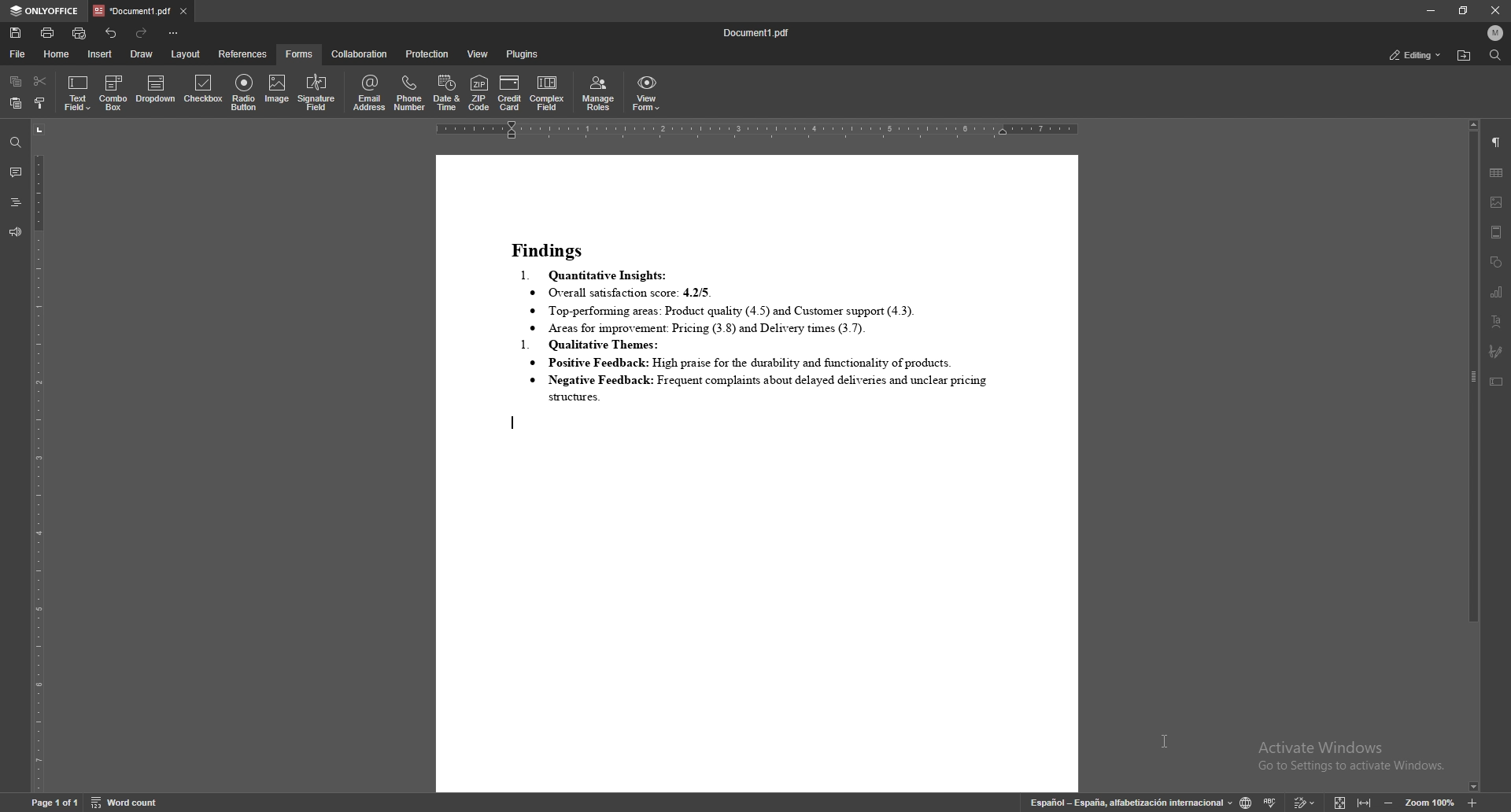  I want to click on tab, so click(131, 11).